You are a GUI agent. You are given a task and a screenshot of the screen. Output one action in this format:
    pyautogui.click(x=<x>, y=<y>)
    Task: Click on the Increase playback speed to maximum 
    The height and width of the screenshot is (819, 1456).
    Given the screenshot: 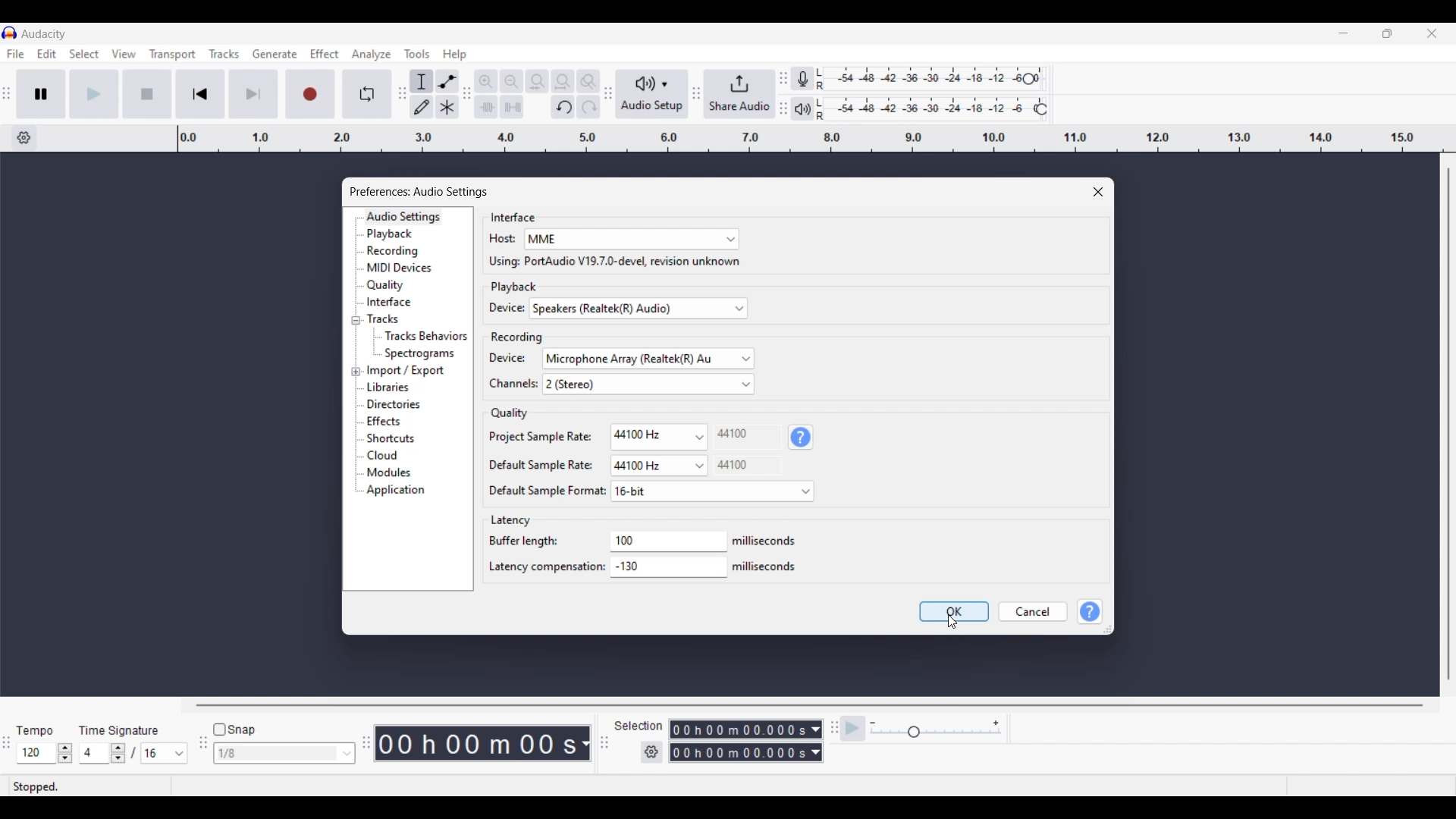 What is the action you would take?
    pyautogui.click(x=996, y=723)
    